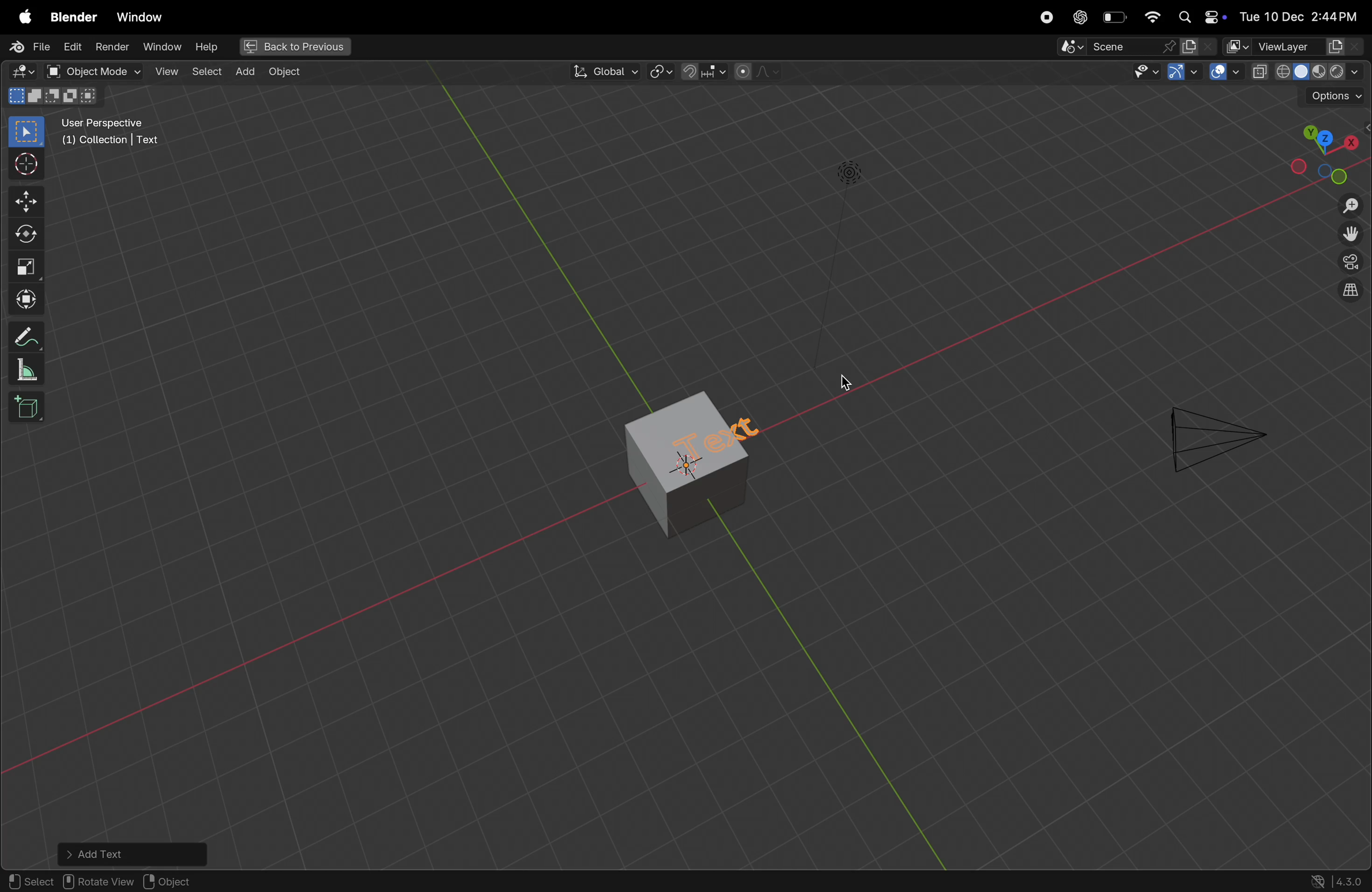 The width and height of the screenshot is (1372, 892). Describe the element at coordinates (1296, 47) in the screenshot. I see `View layer` at that location.